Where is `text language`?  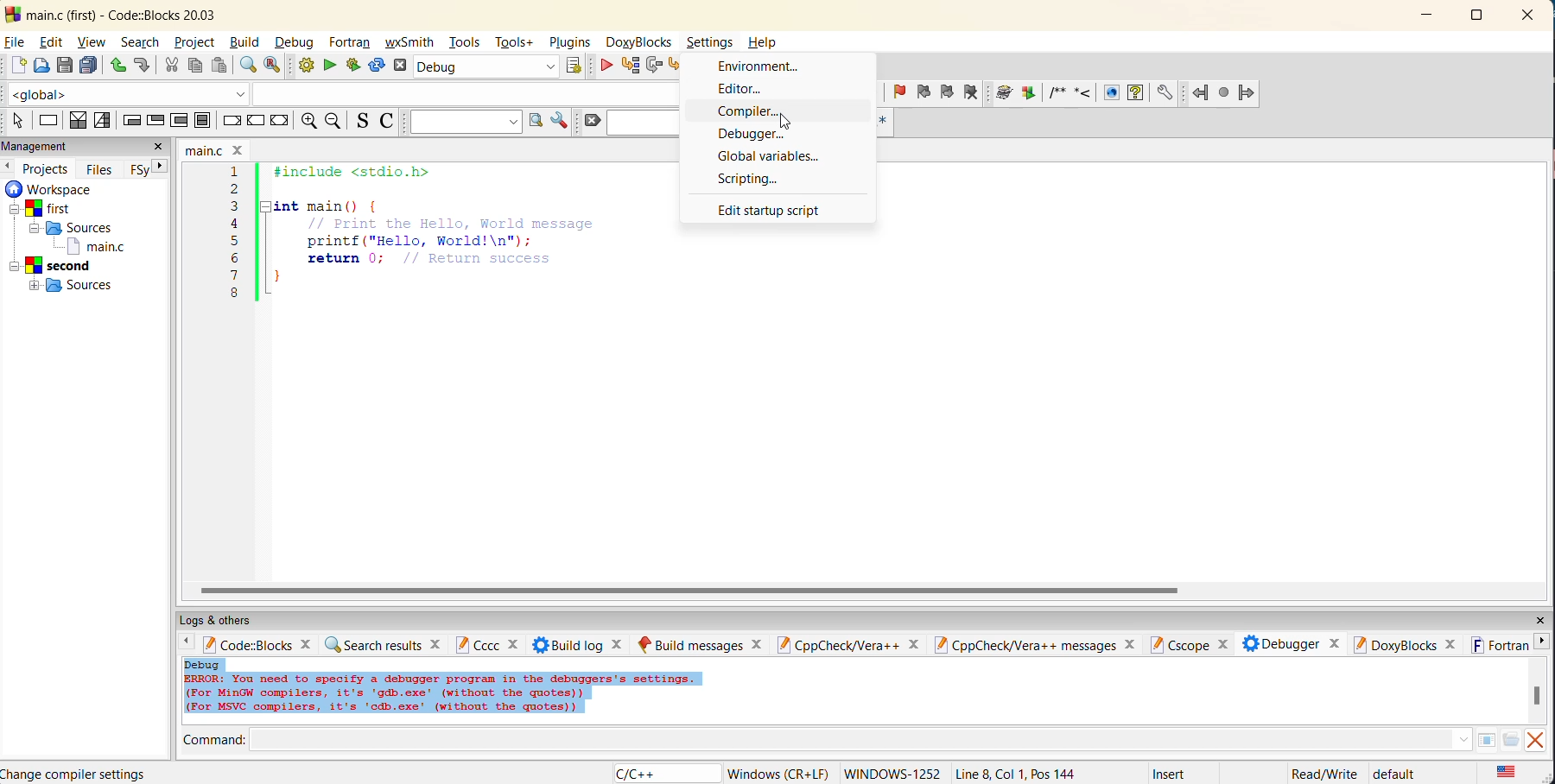 text language is located at coordinates (1509, 774).